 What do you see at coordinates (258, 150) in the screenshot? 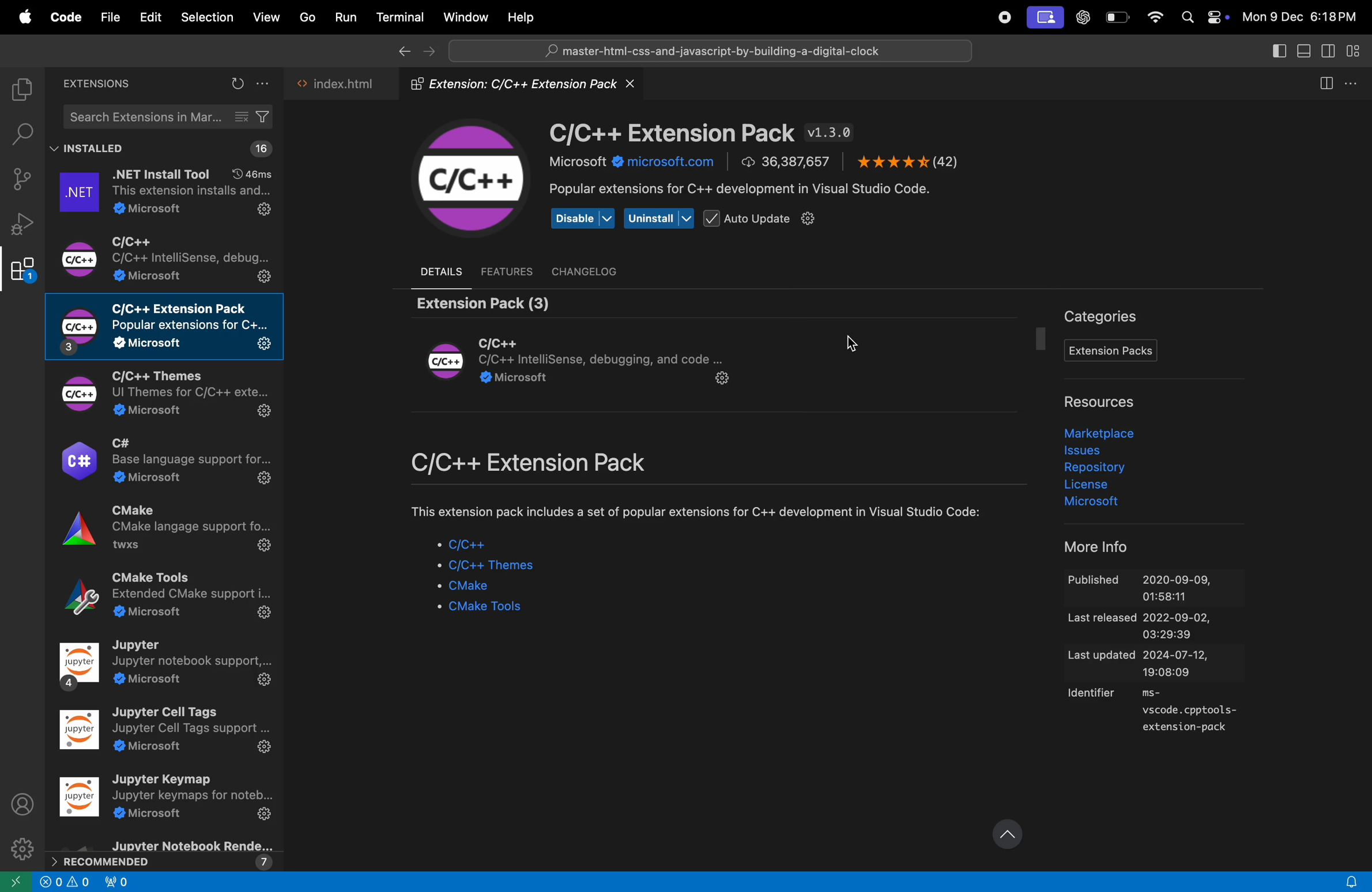
I see `16` at bounding box center [258, 150].